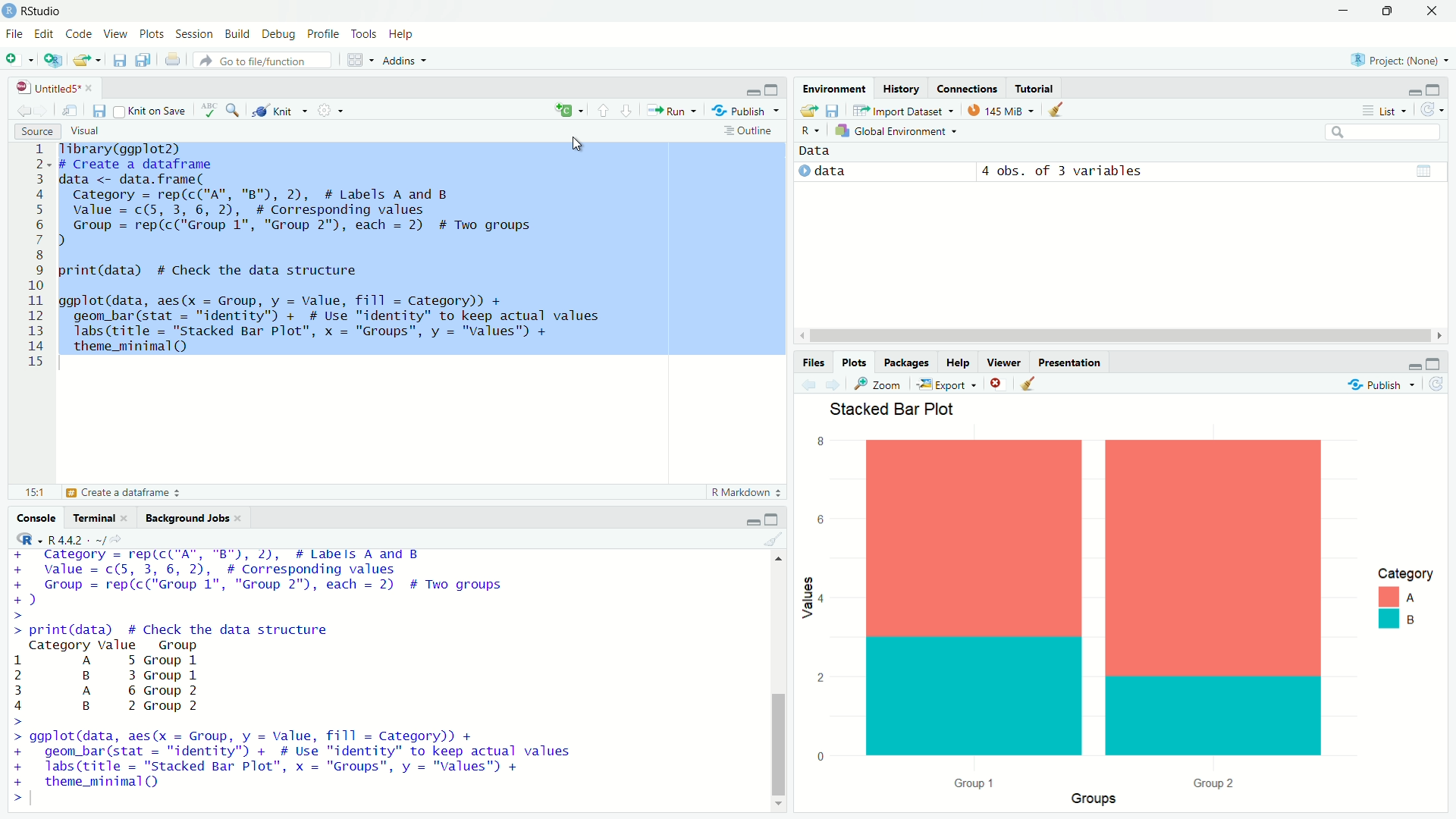 The width and height of the screenshot is (1456, 819). What do you see at coordinates (957, 360) in the screenshot?
I see `Help` at bounding box center [957, 360].